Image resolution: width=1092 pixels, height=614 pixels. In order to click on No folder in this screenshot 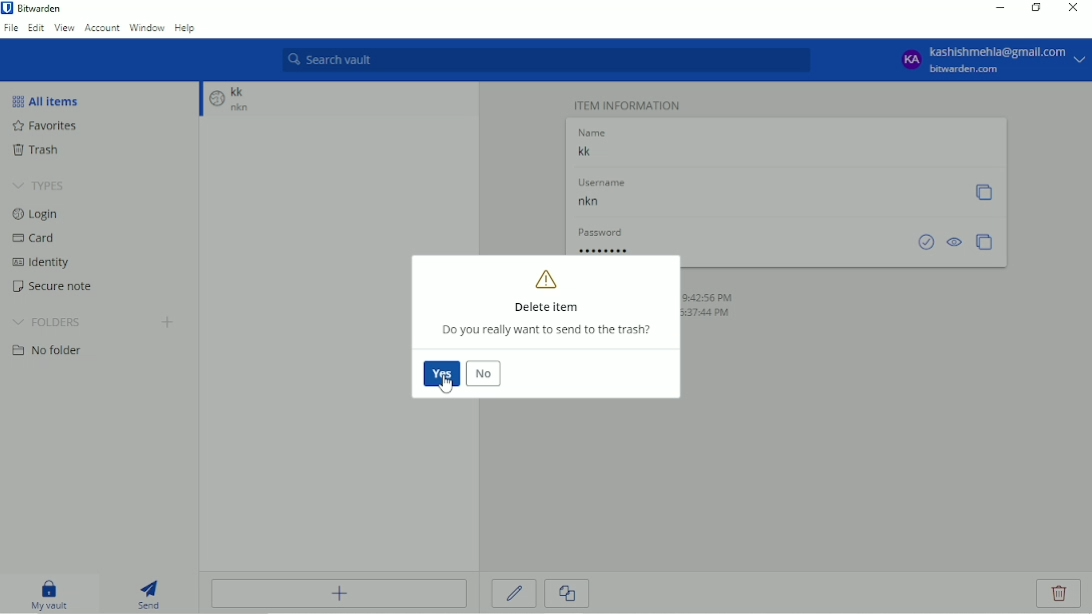, I will do `click(48, 350)`.